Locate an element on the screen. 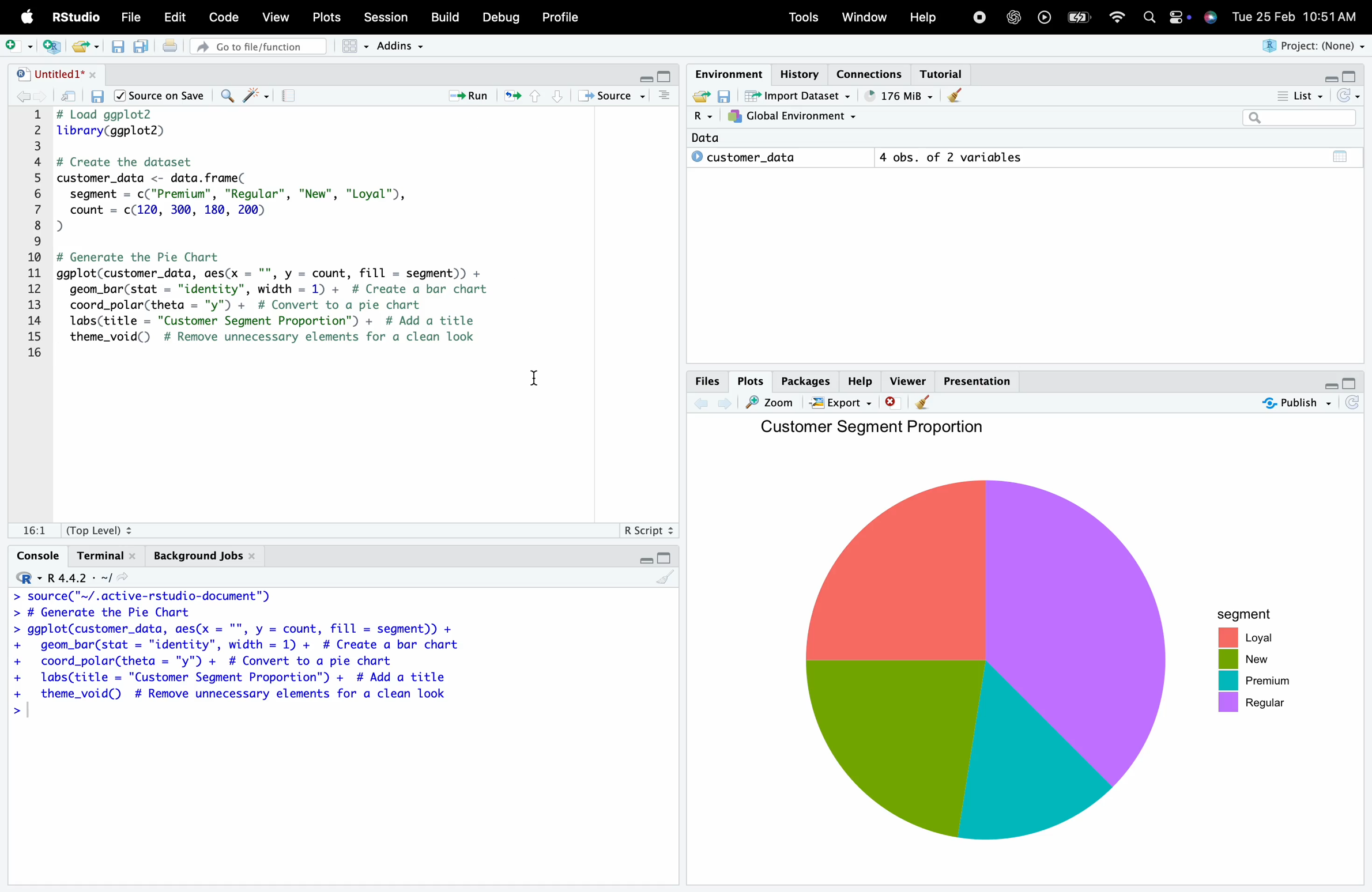  Window is located at coordinates (863, 17).